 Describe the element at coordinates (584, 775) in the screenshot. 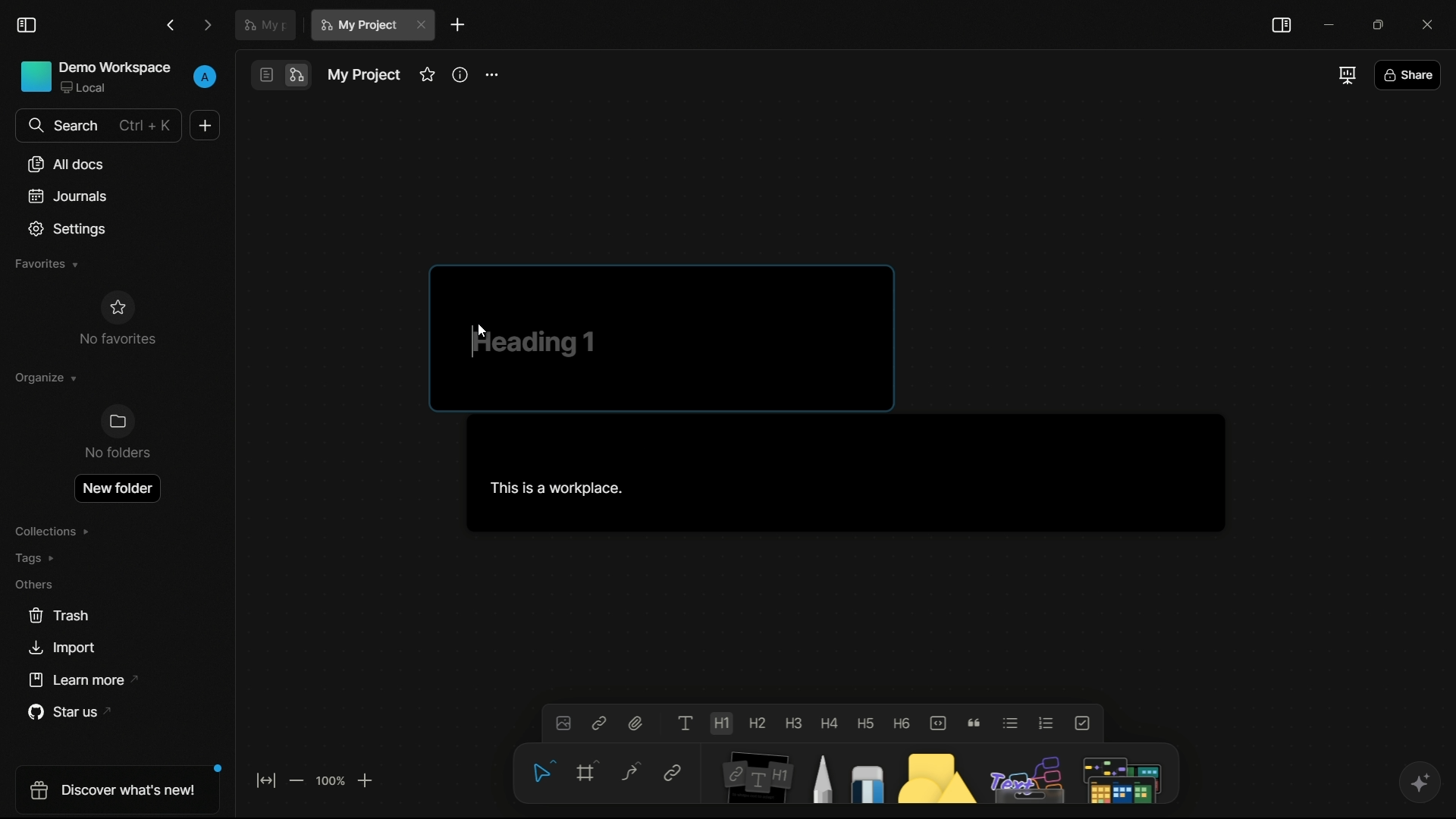

I see `frame` at that location.